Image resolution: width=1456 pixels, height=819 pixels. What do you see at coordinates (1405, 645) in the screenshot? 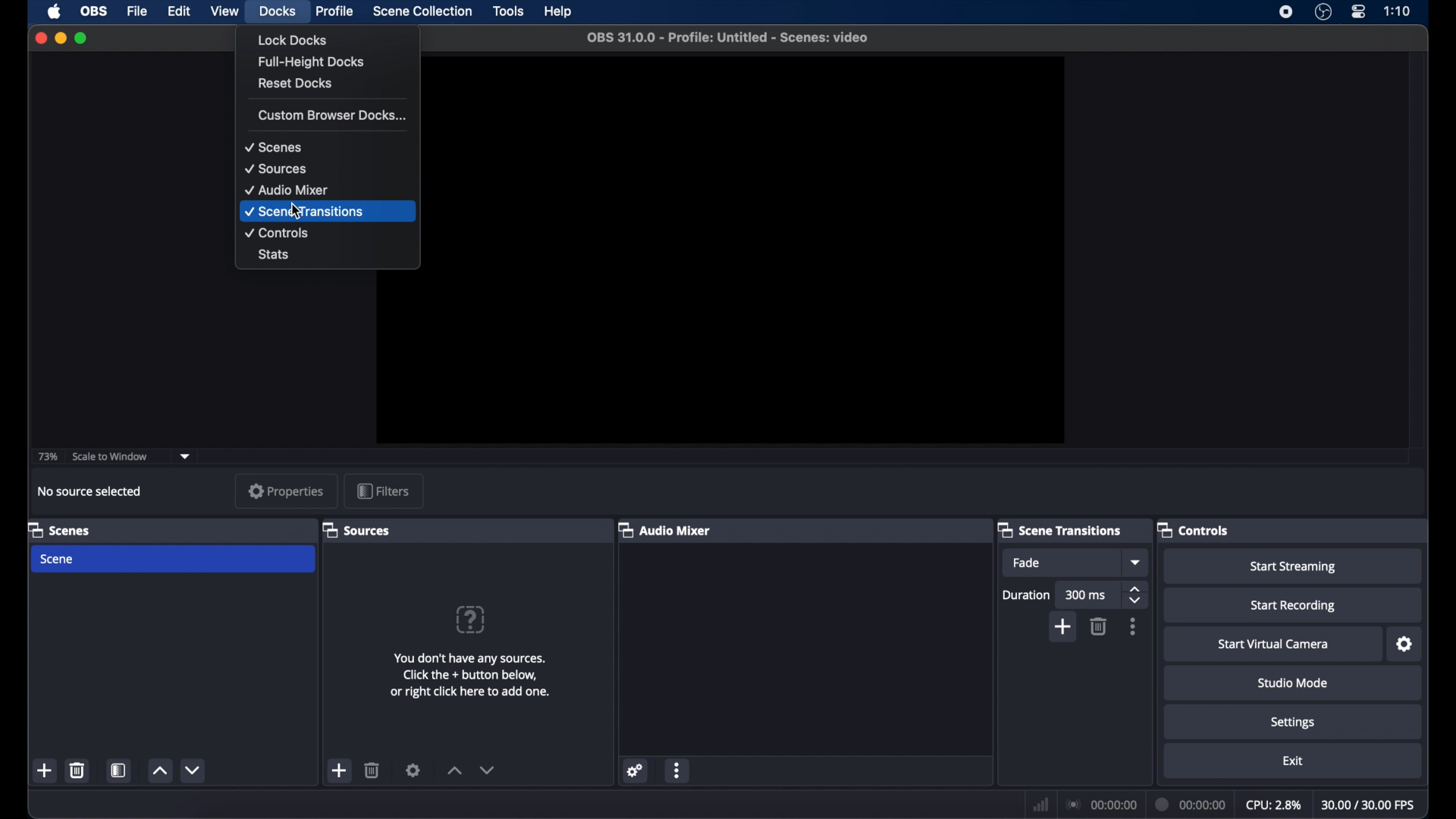
I see `settings` at bounding box center [1405, 645].